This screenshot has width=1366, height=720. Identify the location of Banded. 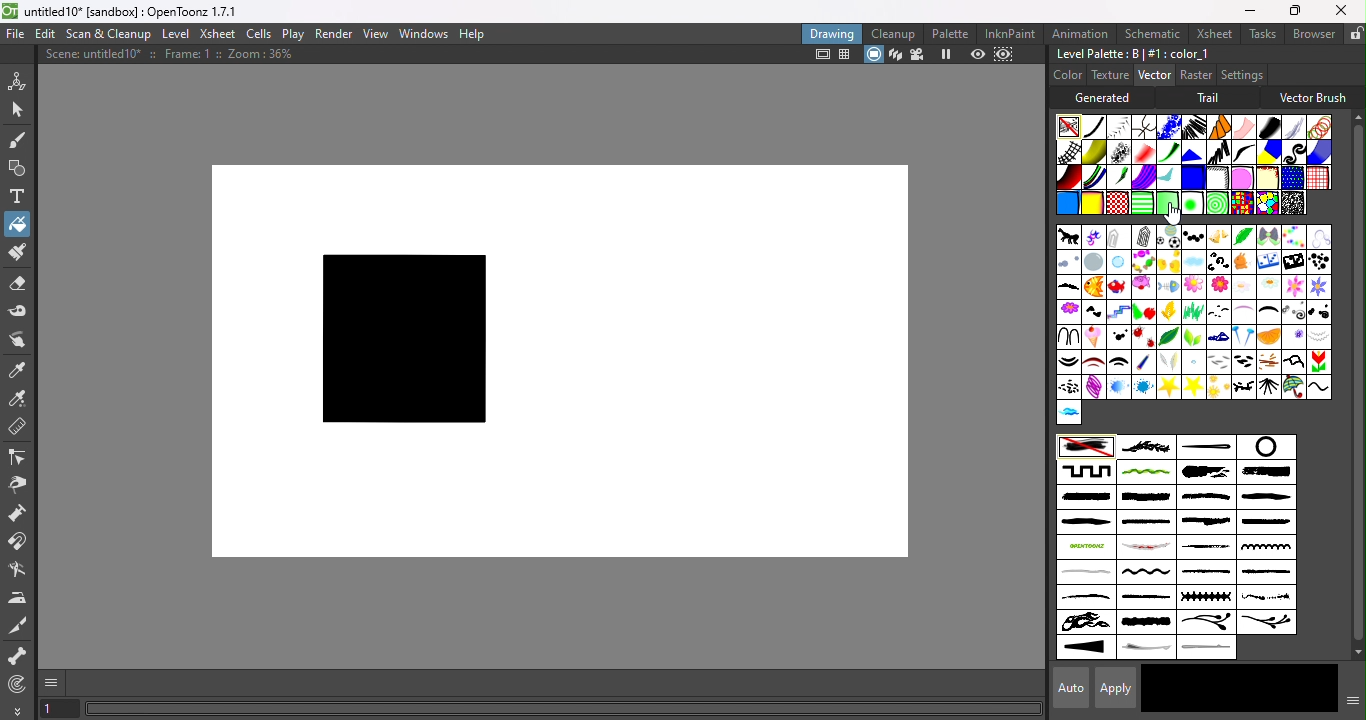
(1144, 202).